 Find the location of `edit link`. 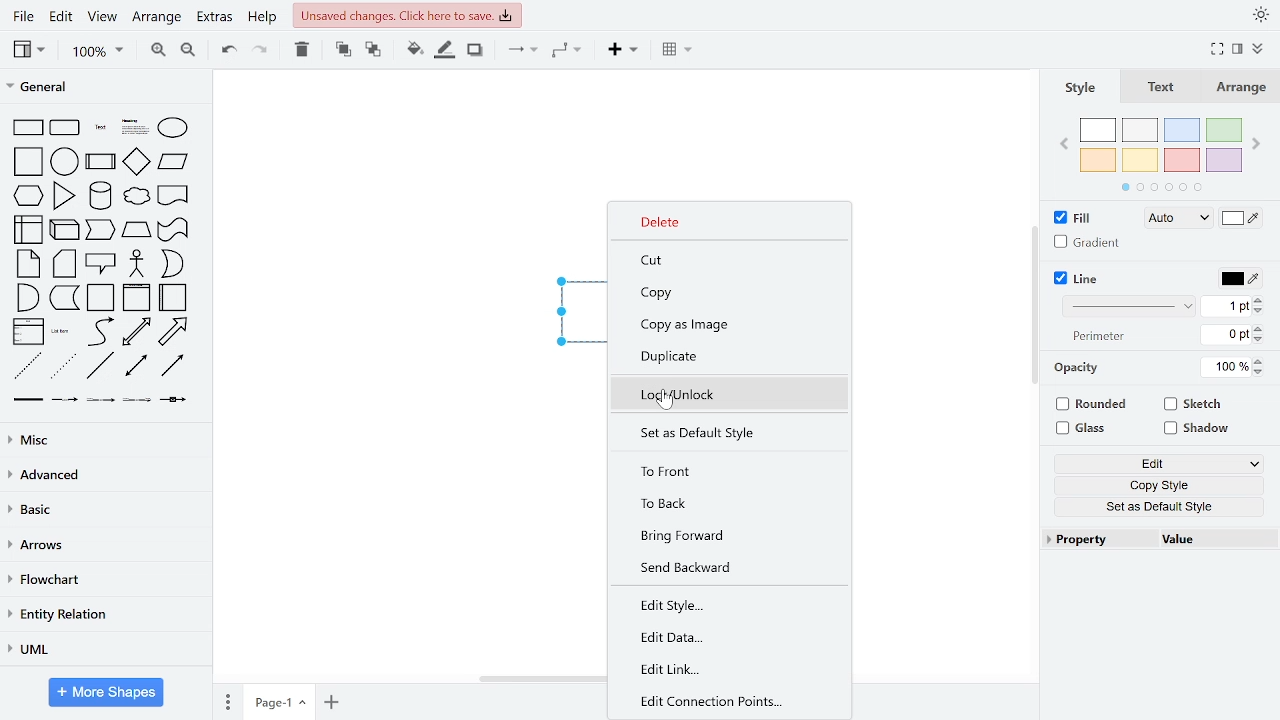

edit link is located at coordinates (723, 670).